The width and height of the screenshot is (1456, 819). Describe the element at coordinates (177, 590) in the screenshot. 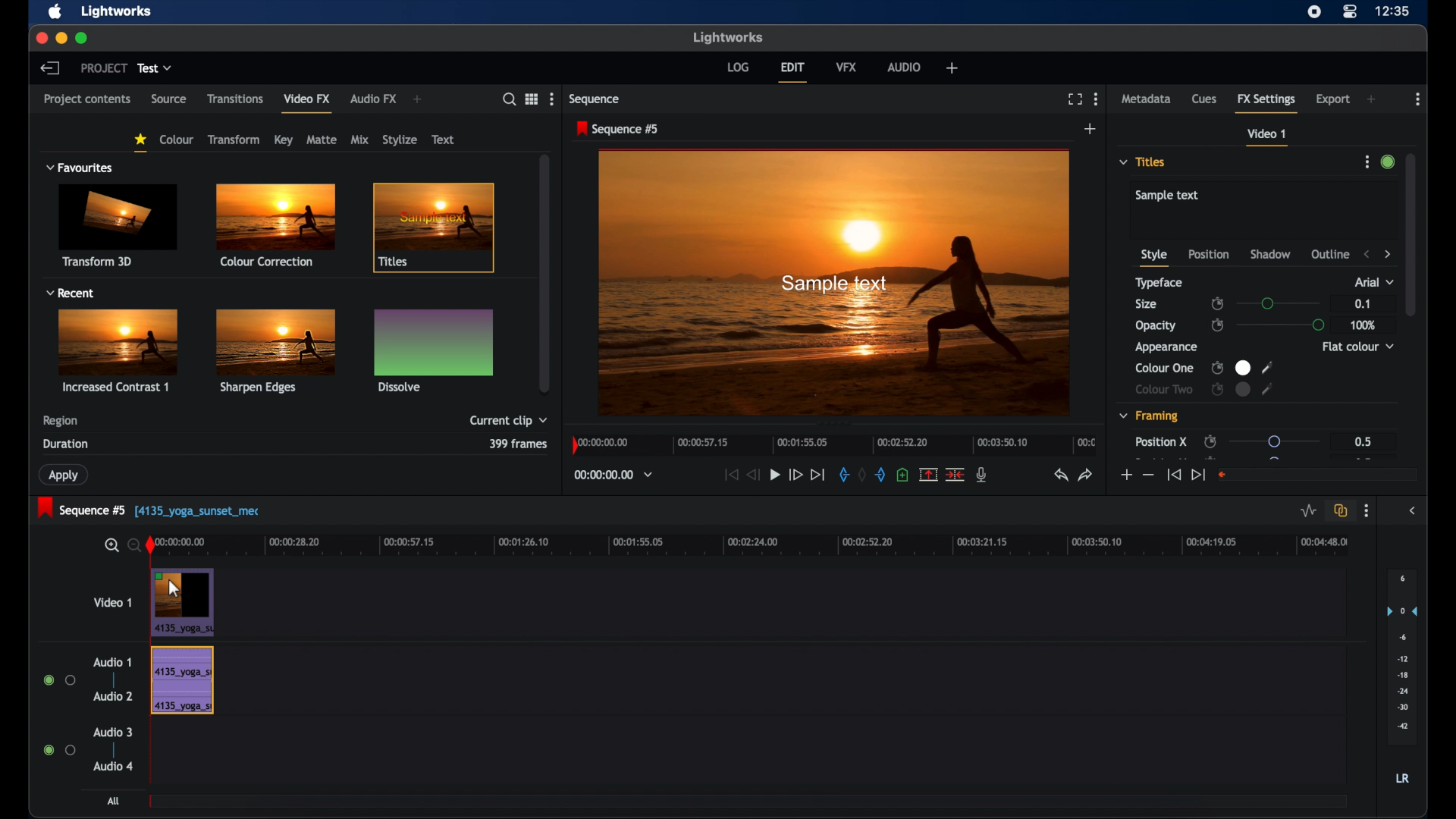

I see `cursor` at that location.